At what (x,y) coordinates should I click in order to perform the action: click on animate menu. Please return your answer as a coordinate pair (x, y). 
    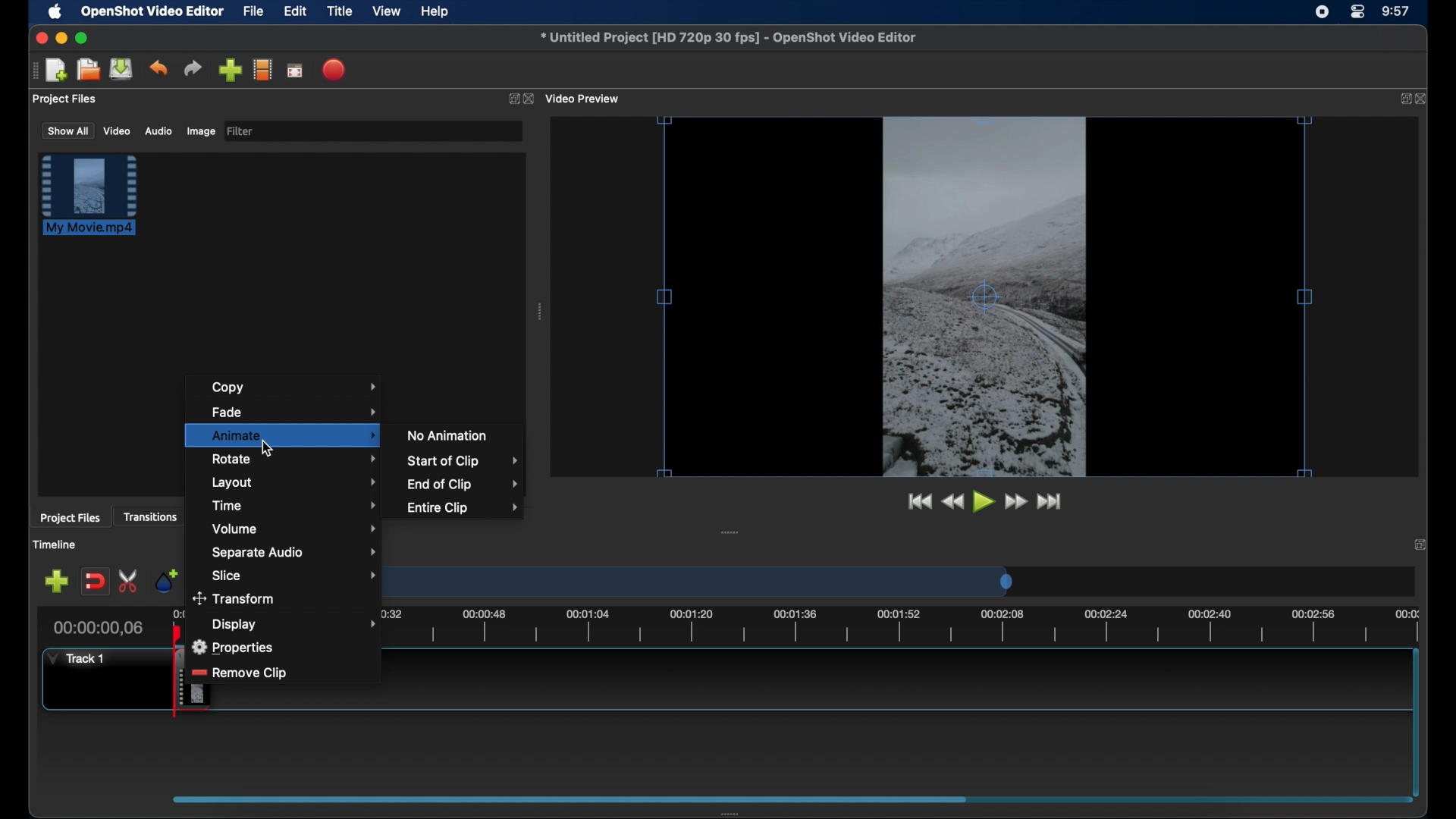
    Looking at the image, I should click on (284, 435).